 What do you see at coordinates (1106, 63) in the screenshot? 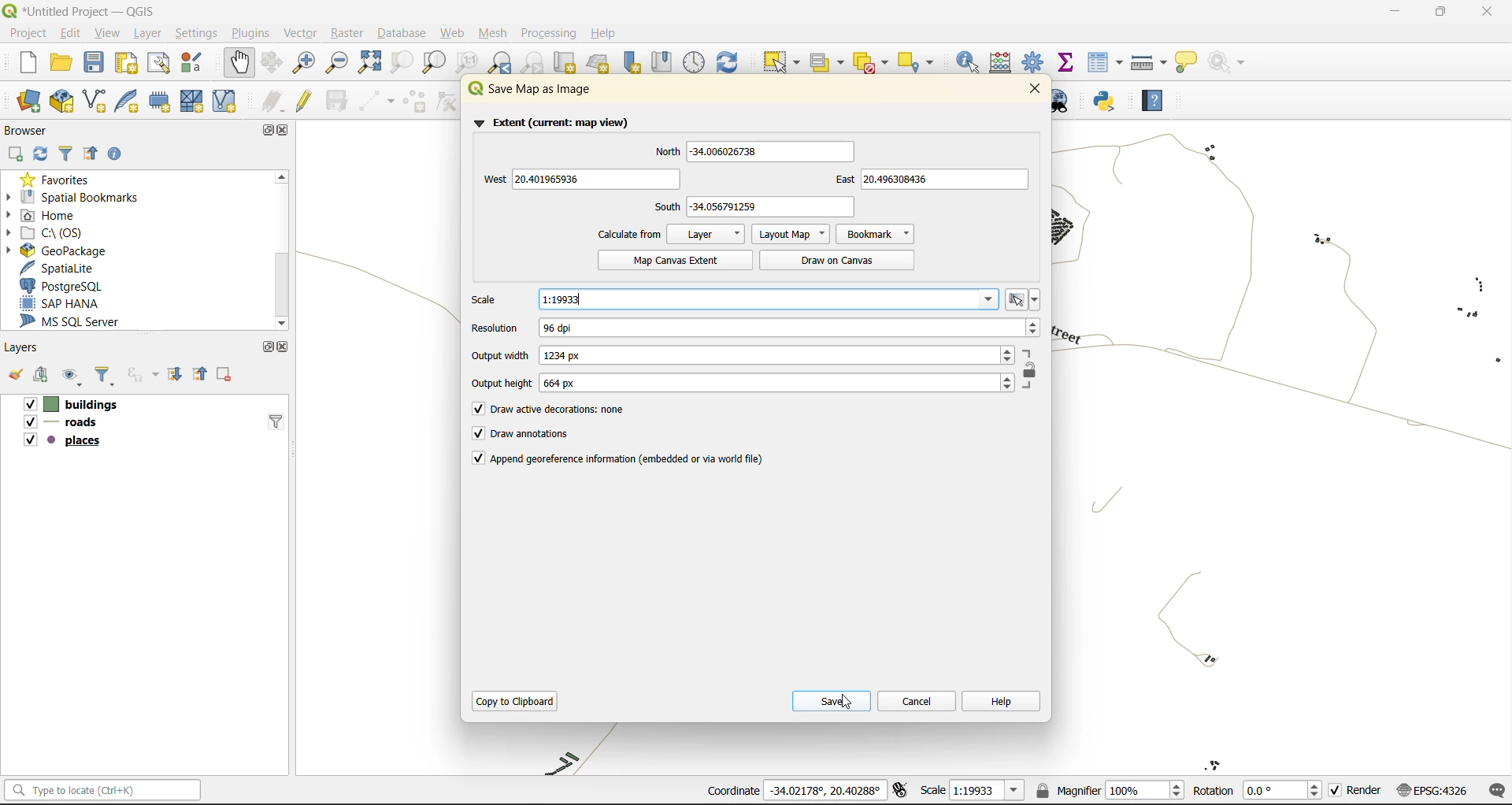
I see `attributes table` at bounding box center [1106, 63].